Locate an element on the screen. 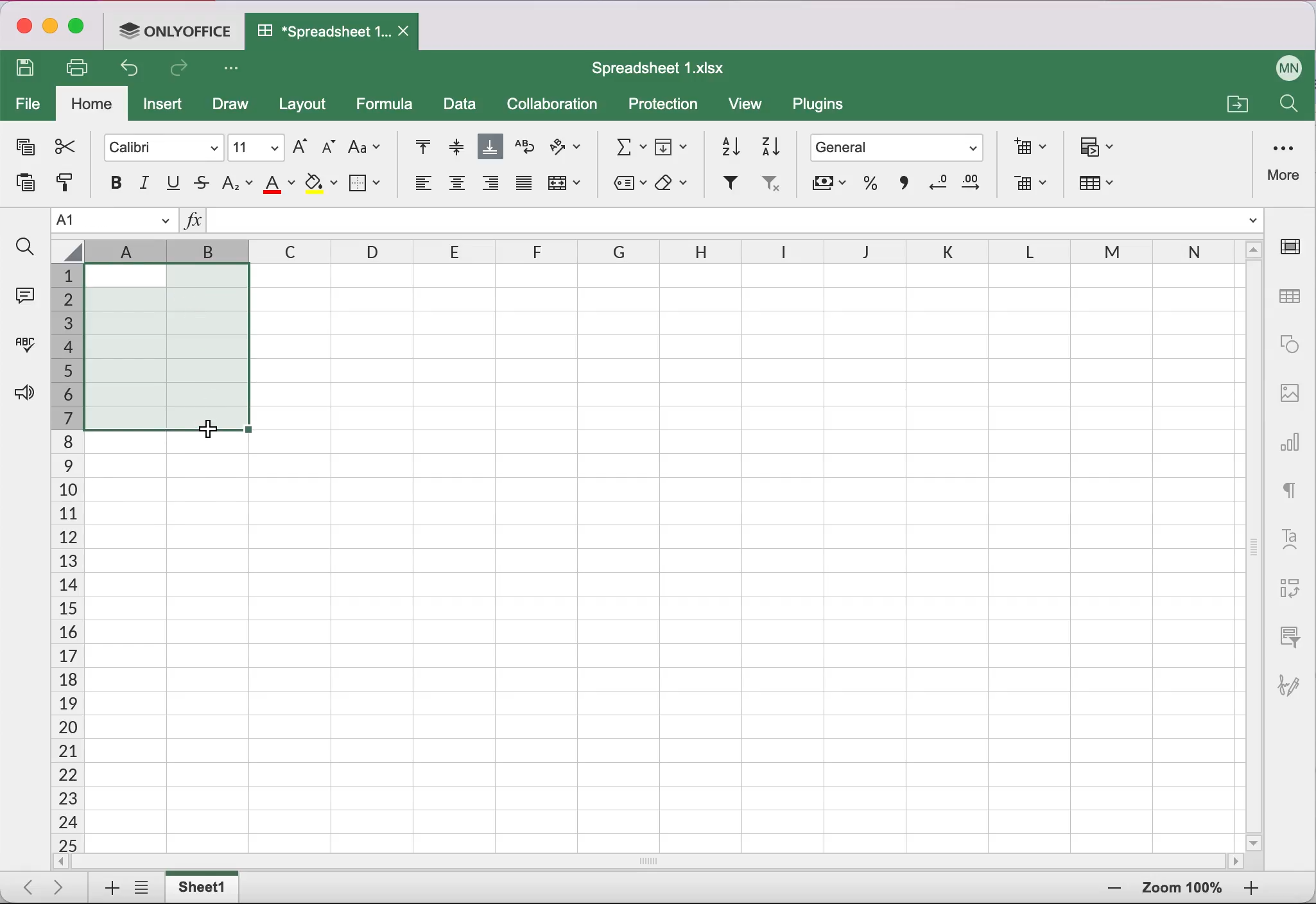 This screenshot has height=904, width=1316. table is located at coordinates (1292, 297).